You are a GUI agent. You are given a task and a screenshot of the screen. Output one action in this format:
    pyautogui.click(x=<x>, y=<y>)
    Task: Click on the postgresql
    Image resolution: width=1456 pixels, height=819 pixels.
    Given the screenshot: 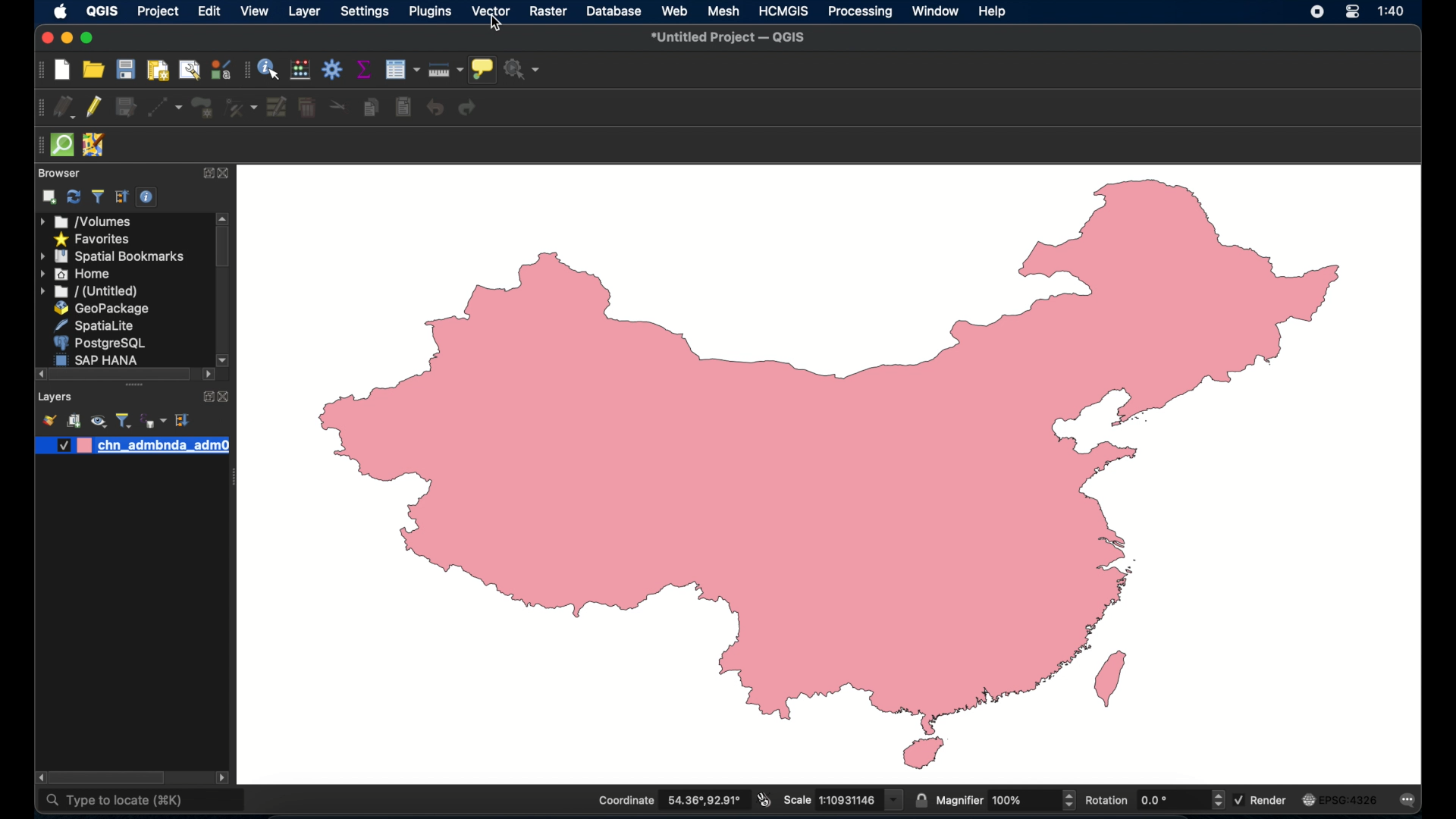 What is the action you would take?
    pyautogui.click(x=98, y=343)
    